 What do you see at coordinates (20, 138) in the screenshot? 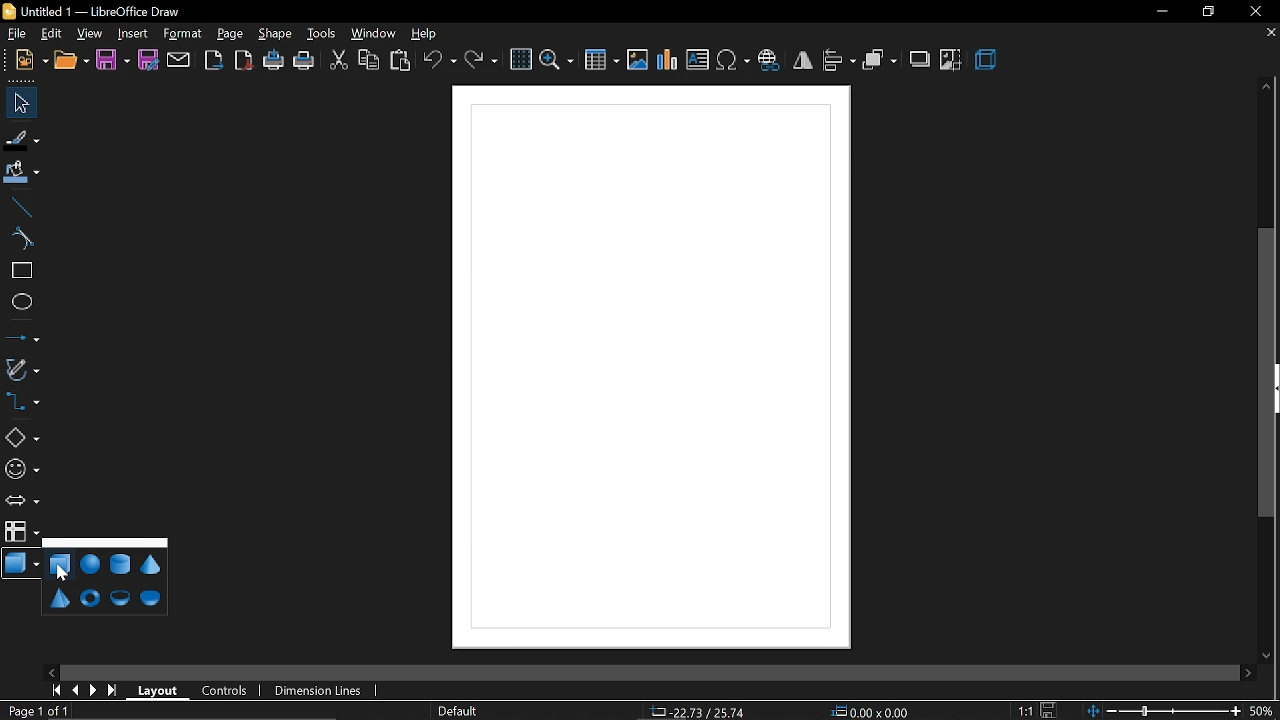
I see `fill line` at bounding box center [20, 138].